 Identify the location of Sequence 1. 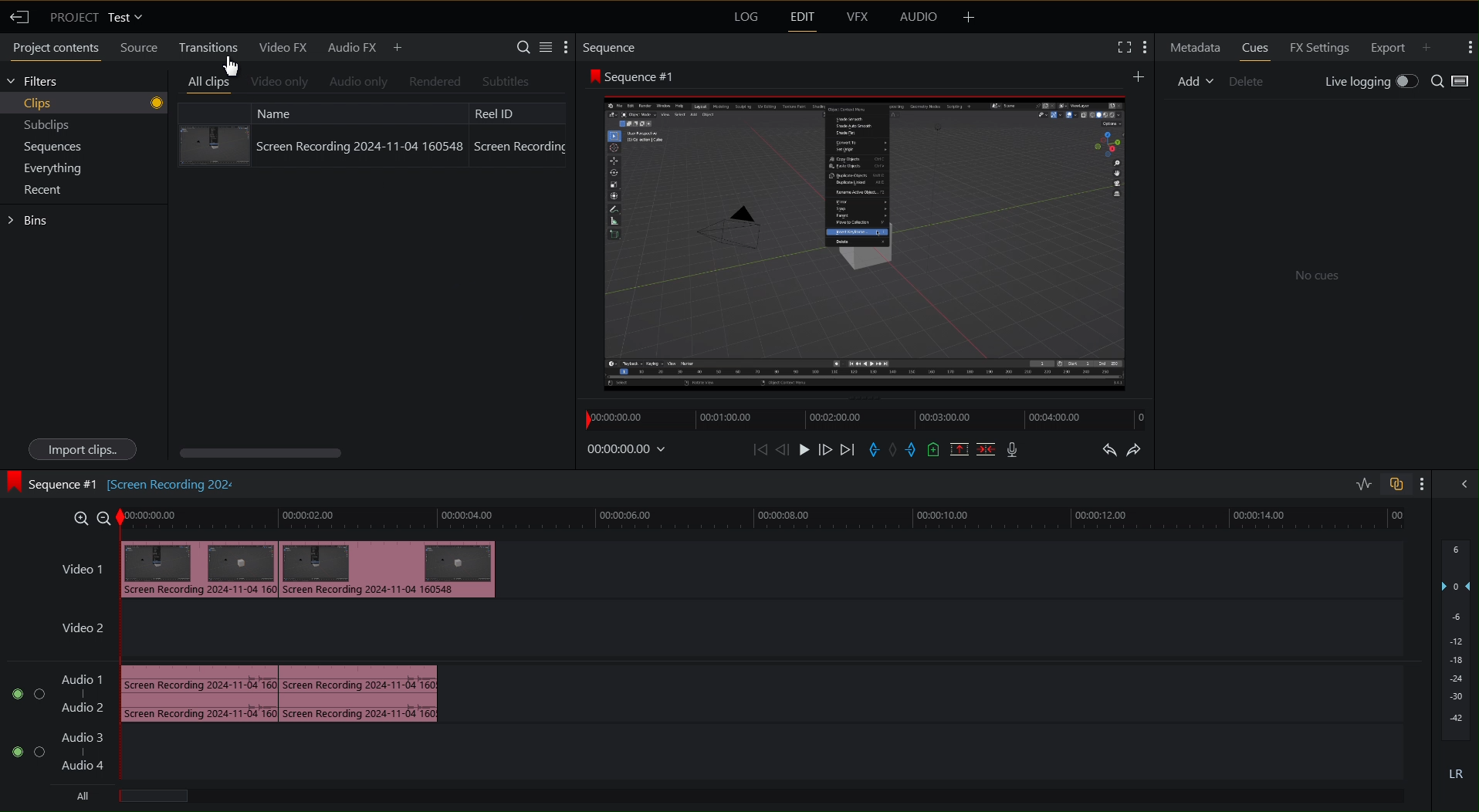
(631, 75).